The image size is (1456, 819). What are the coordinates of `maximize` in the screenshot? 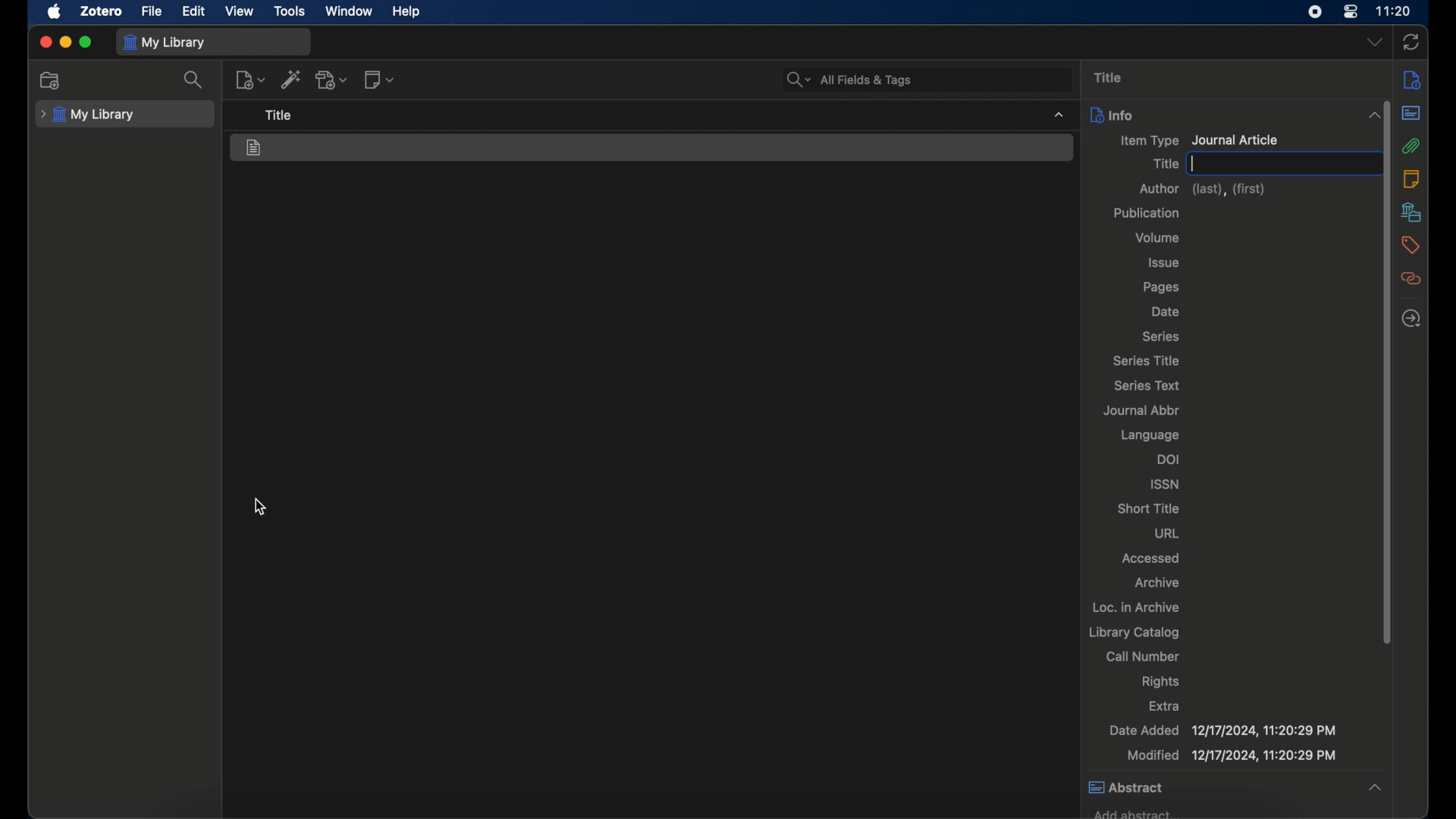 It's located at (86, 42).